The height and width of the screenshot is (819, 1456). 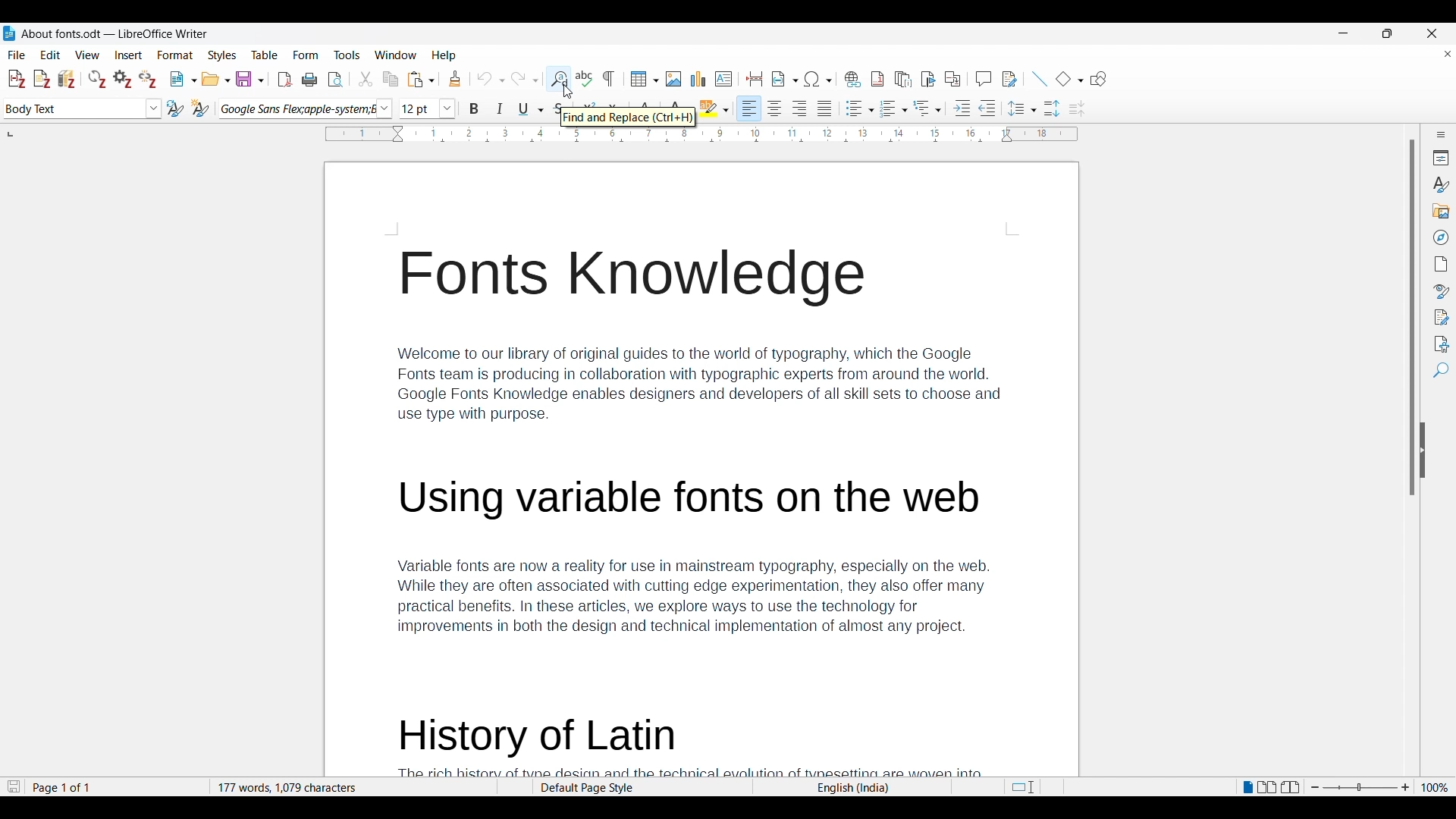 I want to click on Open and Open options, so click(x=216, y=80).